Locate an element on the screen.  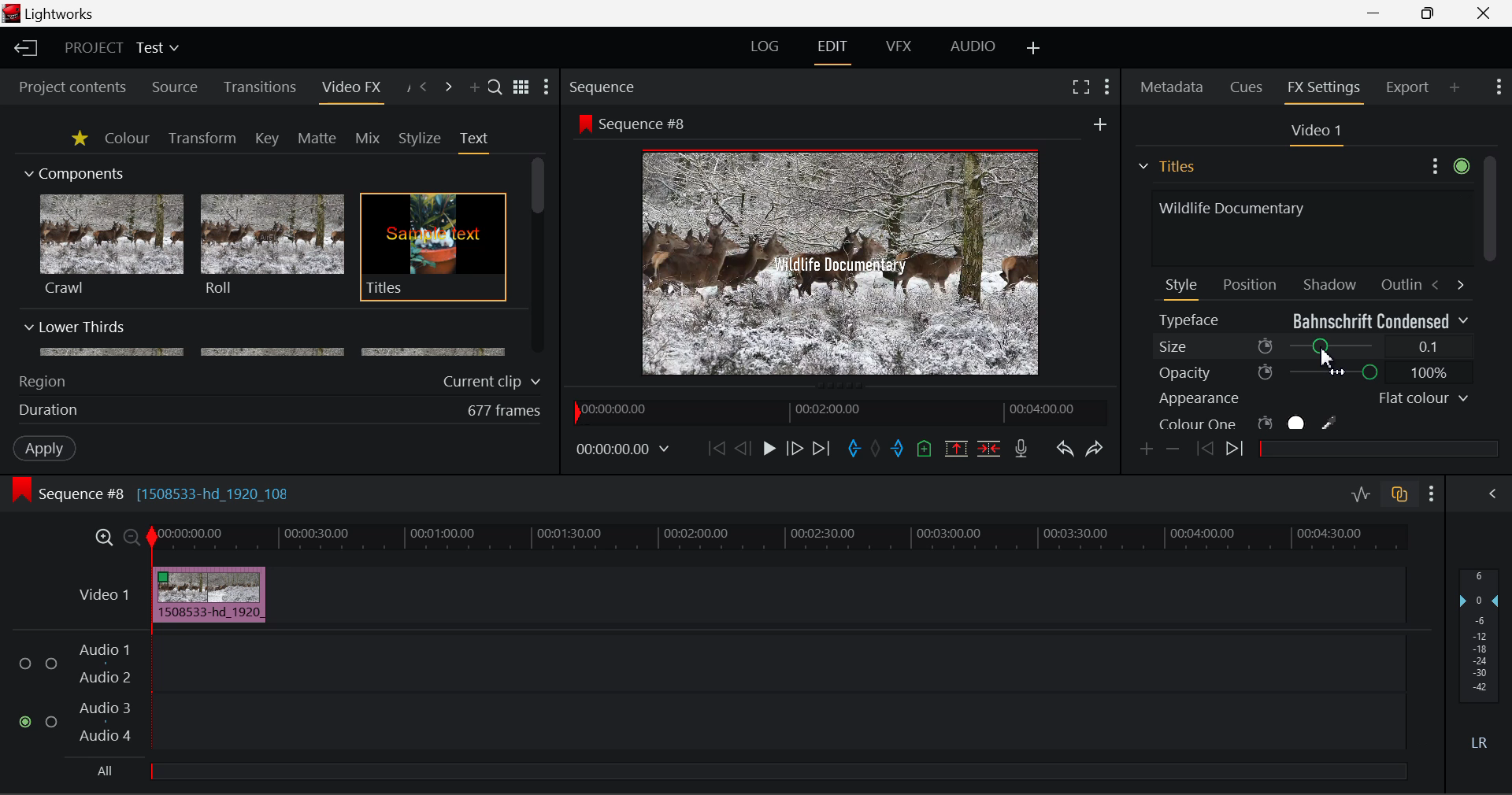
Video 1 is located at coordinates (106, 594).